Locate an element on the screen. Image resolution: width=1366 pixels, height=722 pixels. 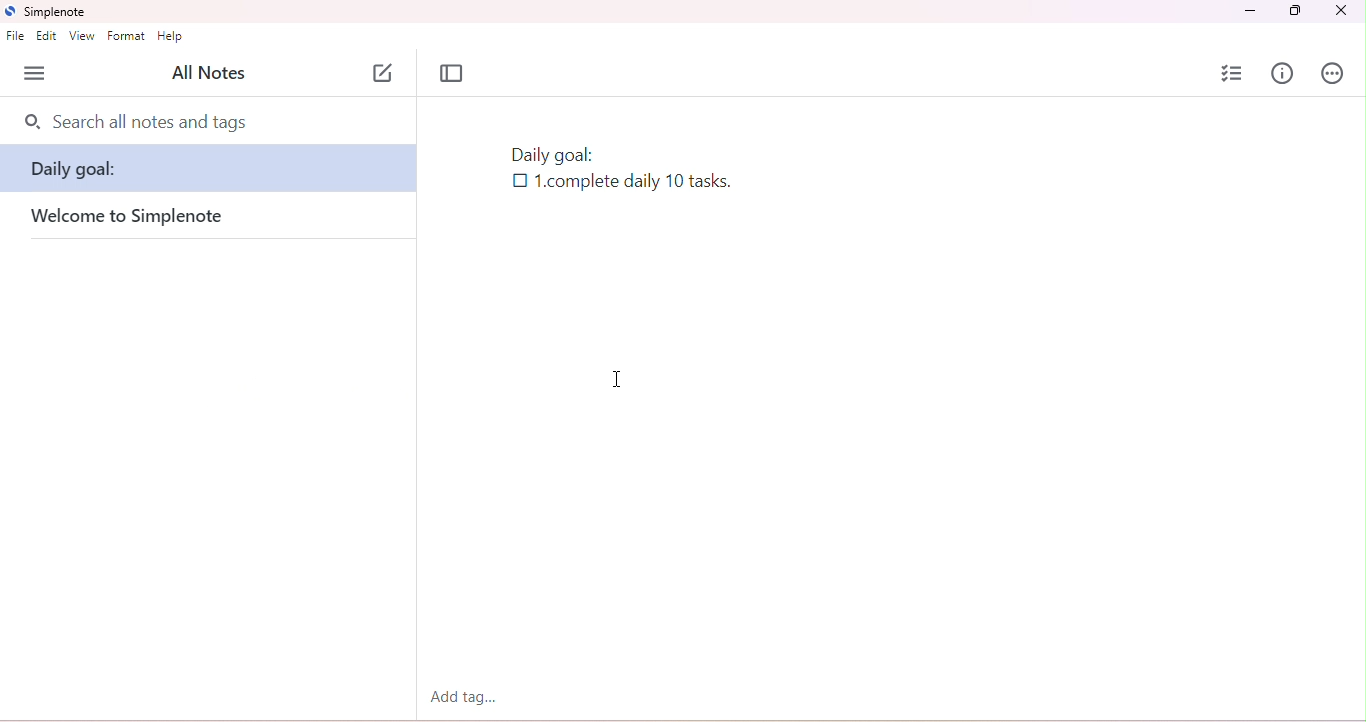
insert checklist is located at coordinates (1234, 72).